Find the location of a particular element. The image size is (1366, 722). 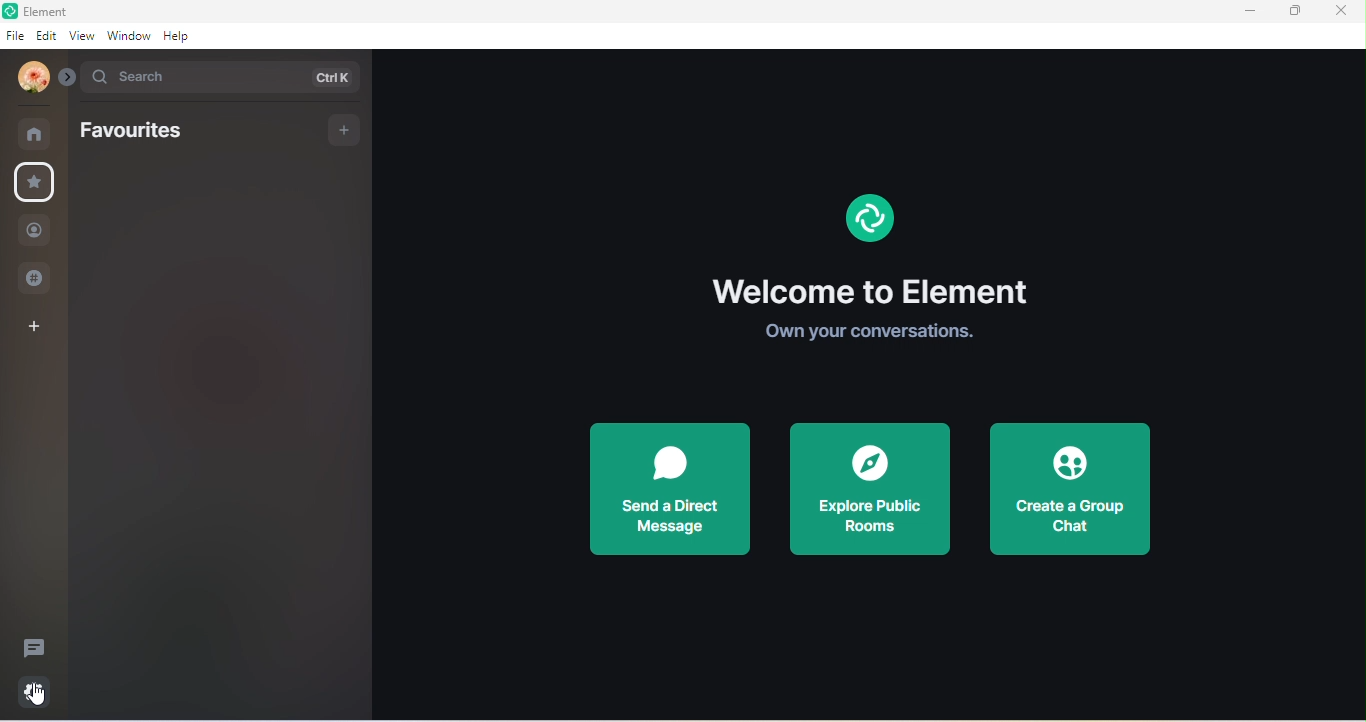

Element is located at coordinates (54, 11).